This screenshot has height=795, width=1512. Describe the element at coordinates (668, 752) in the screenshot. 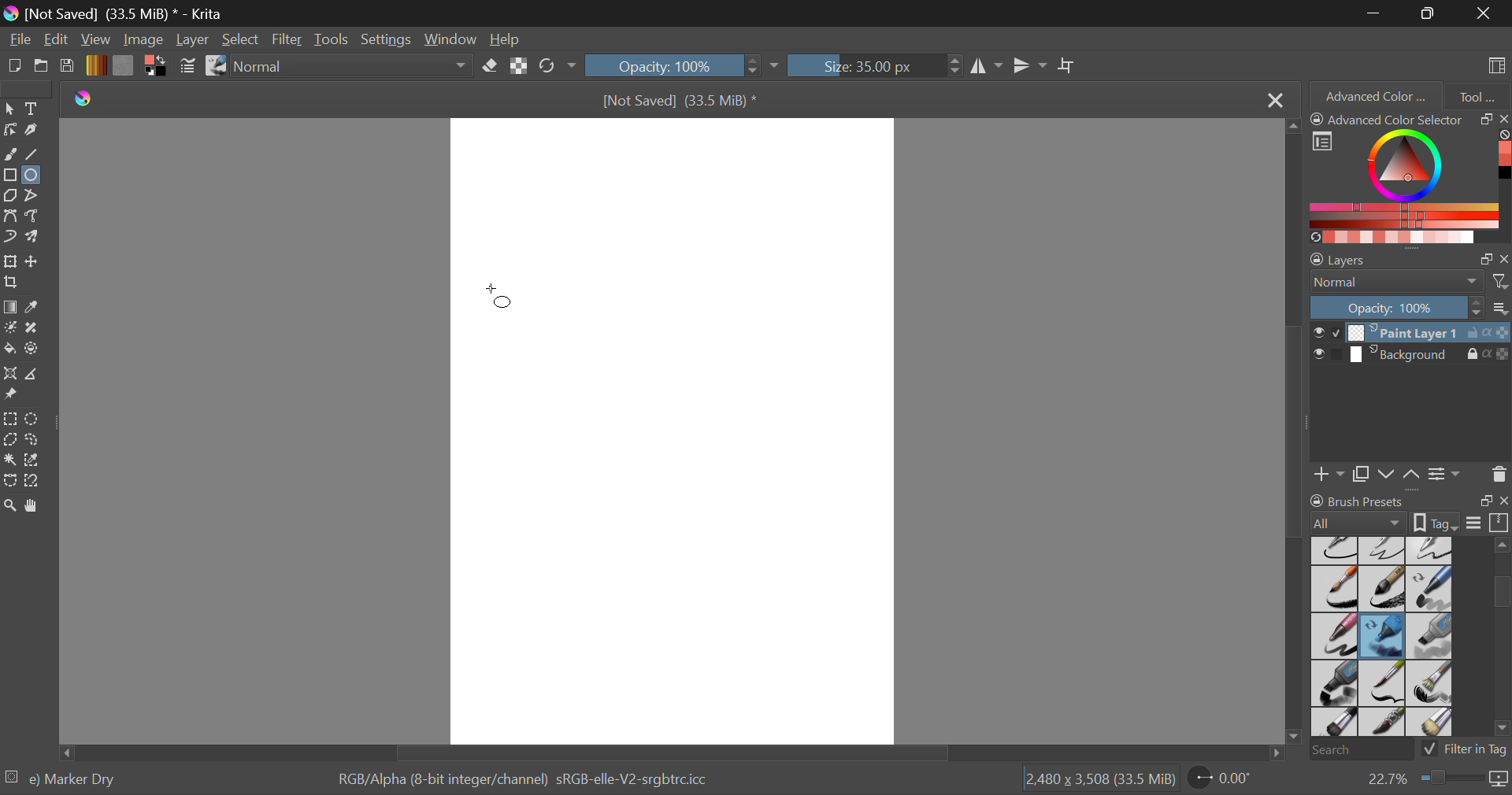

I see `Scroll Bar` at that location.